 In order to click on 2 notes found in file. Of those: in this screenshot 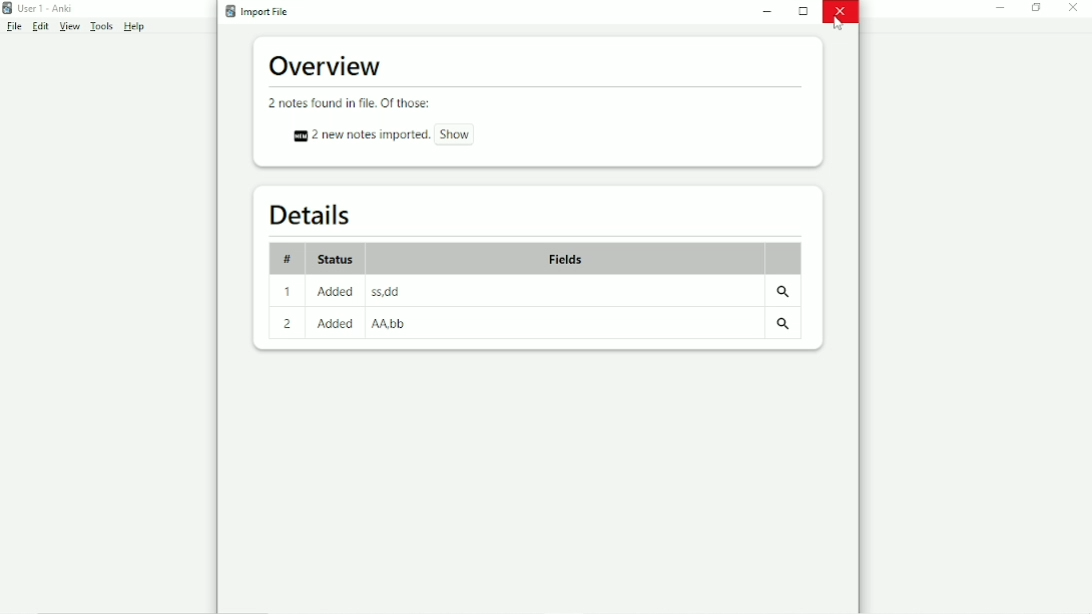, I will do `click(350, 103)`.